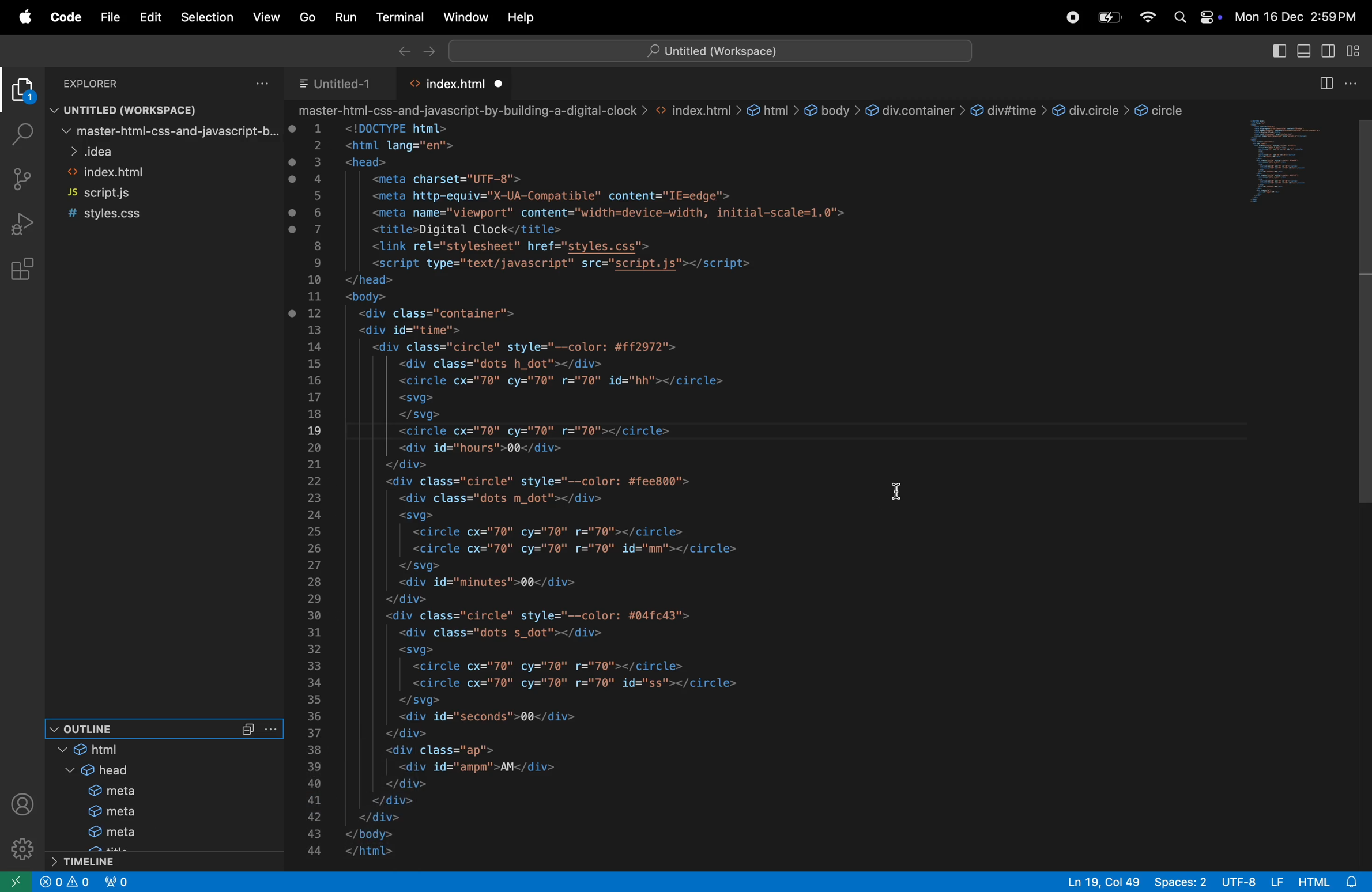  What do you see at coordinates (20, 269) in the screenshot?
I see `extensions` at bounding box center [20, 269].